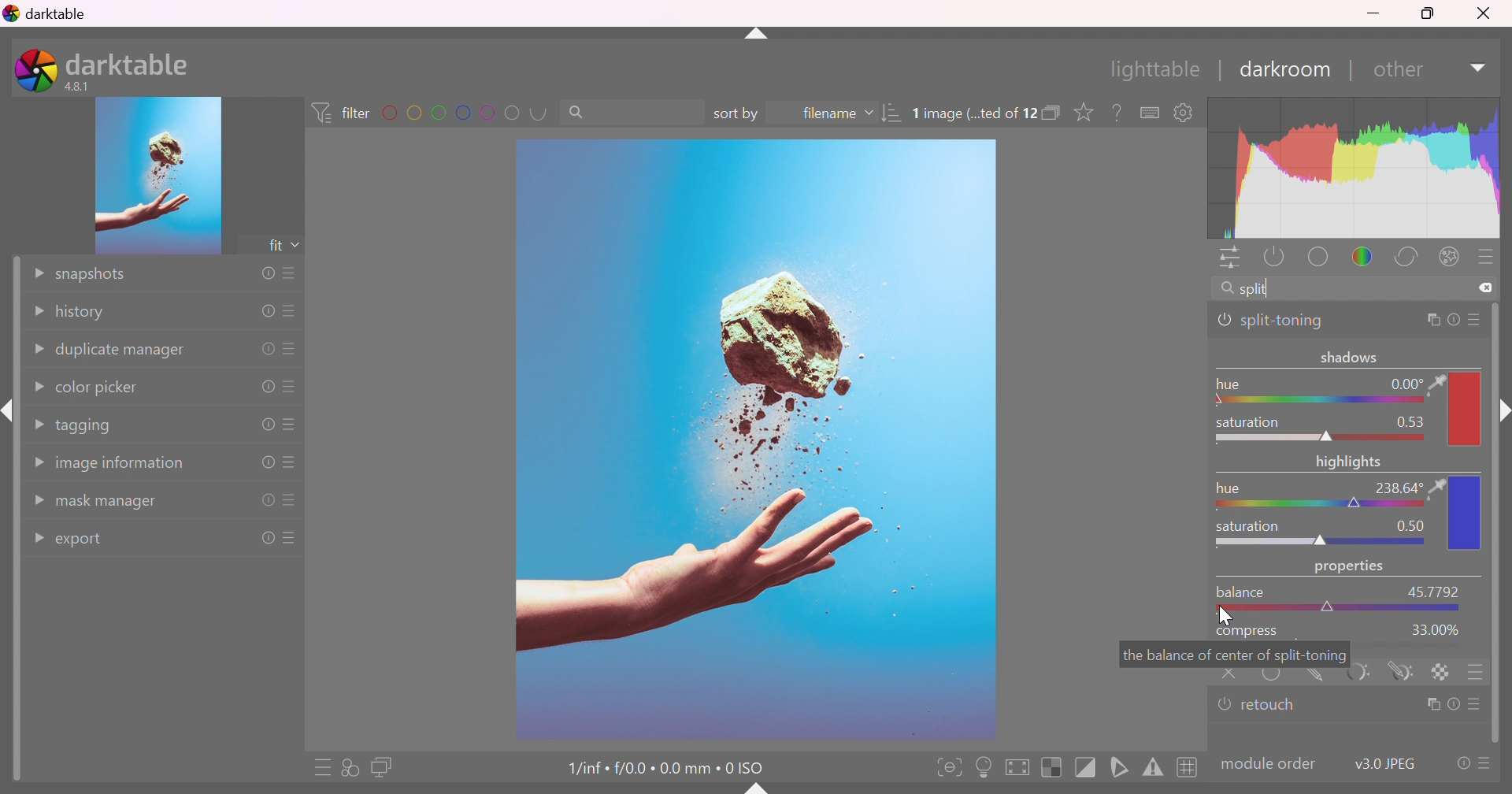 Image resolution: width=1512 pixels, height=794 pixels. I want to click on shift+ctrl+t, so click(758, 35).